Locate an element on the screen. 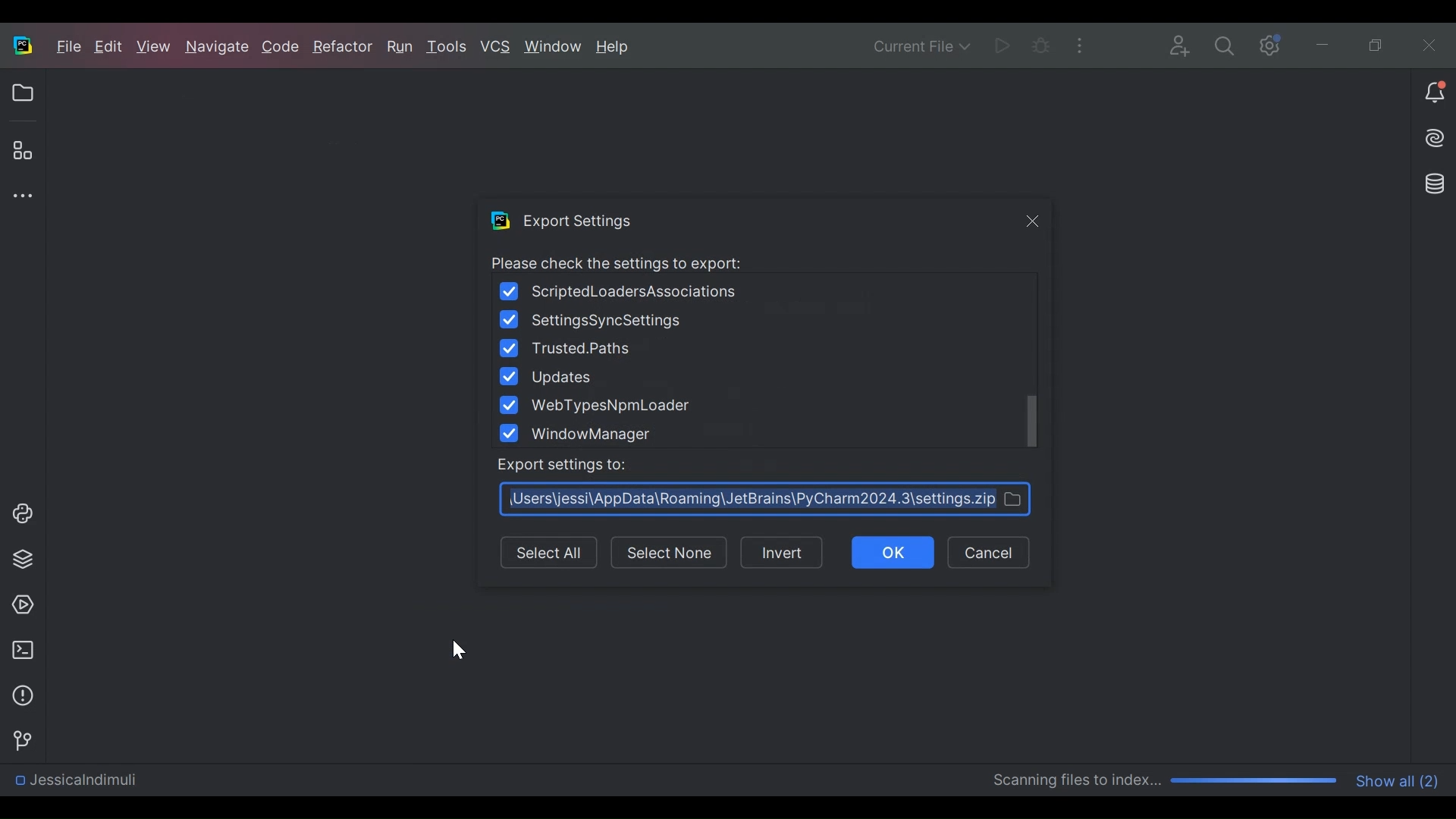  Structure is located at coordinates (21, 151).